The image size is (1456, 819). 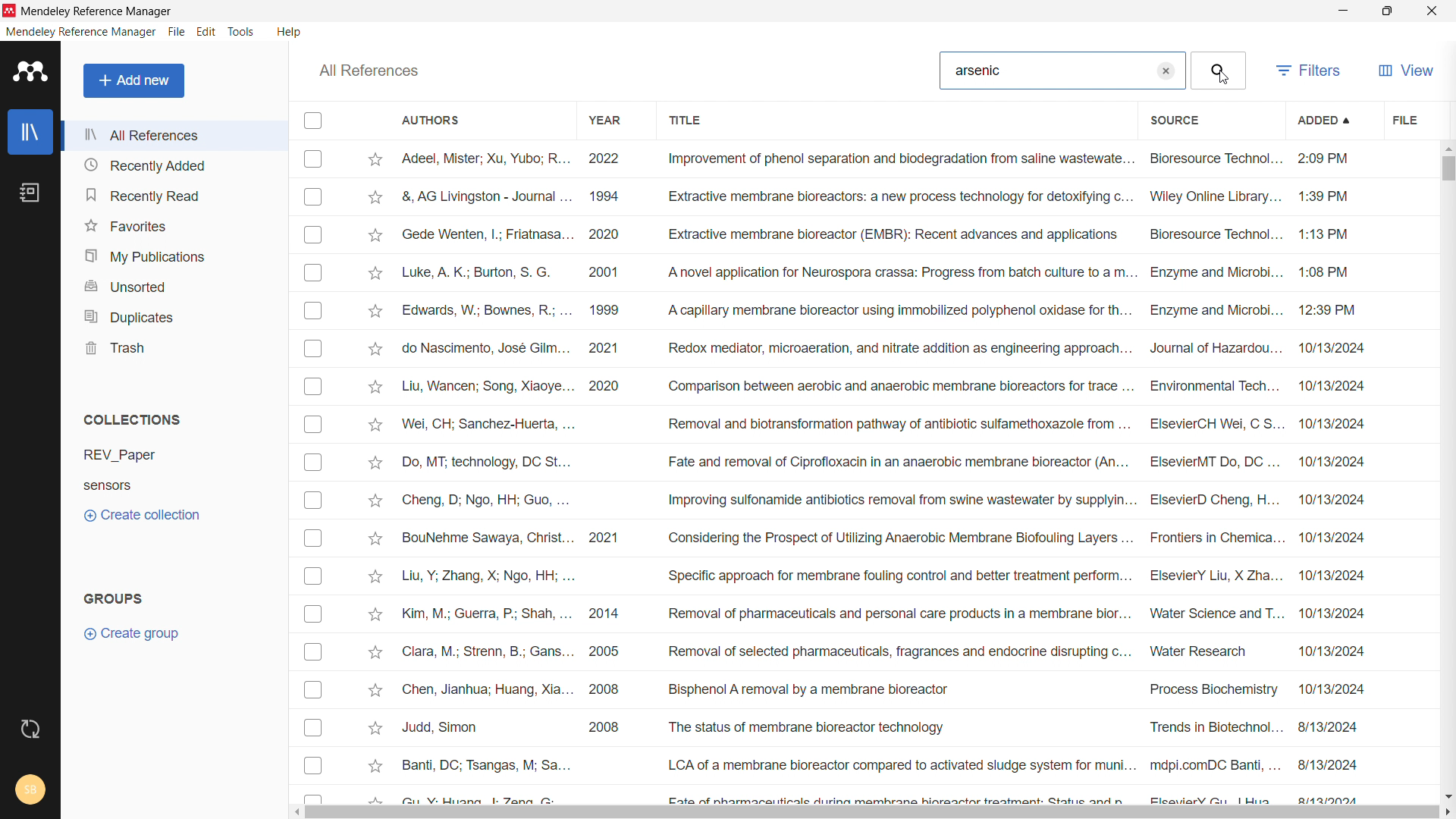 What do you see at coordinates (887, 385) in the screenshot?
I see `Liu, Wancen; Song, Xiaoye... 2020 ‘Comparison between aerobic and anaerobic membrane bioreactors for trace ... Environmental Tech... 10/13/2024` at bounding box center [887, 385].